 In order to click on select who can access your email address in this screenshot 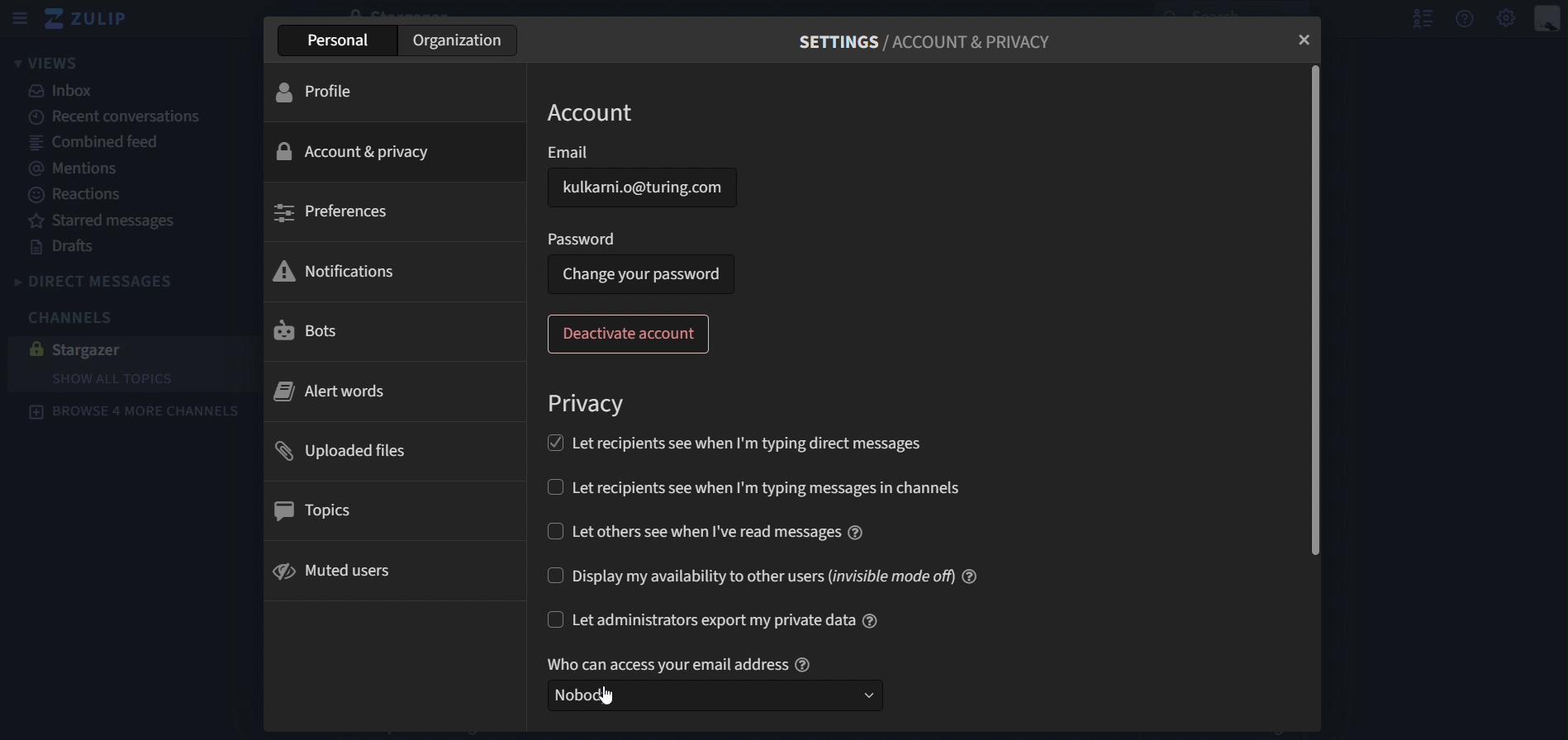, I will do `click(719, 698)`.